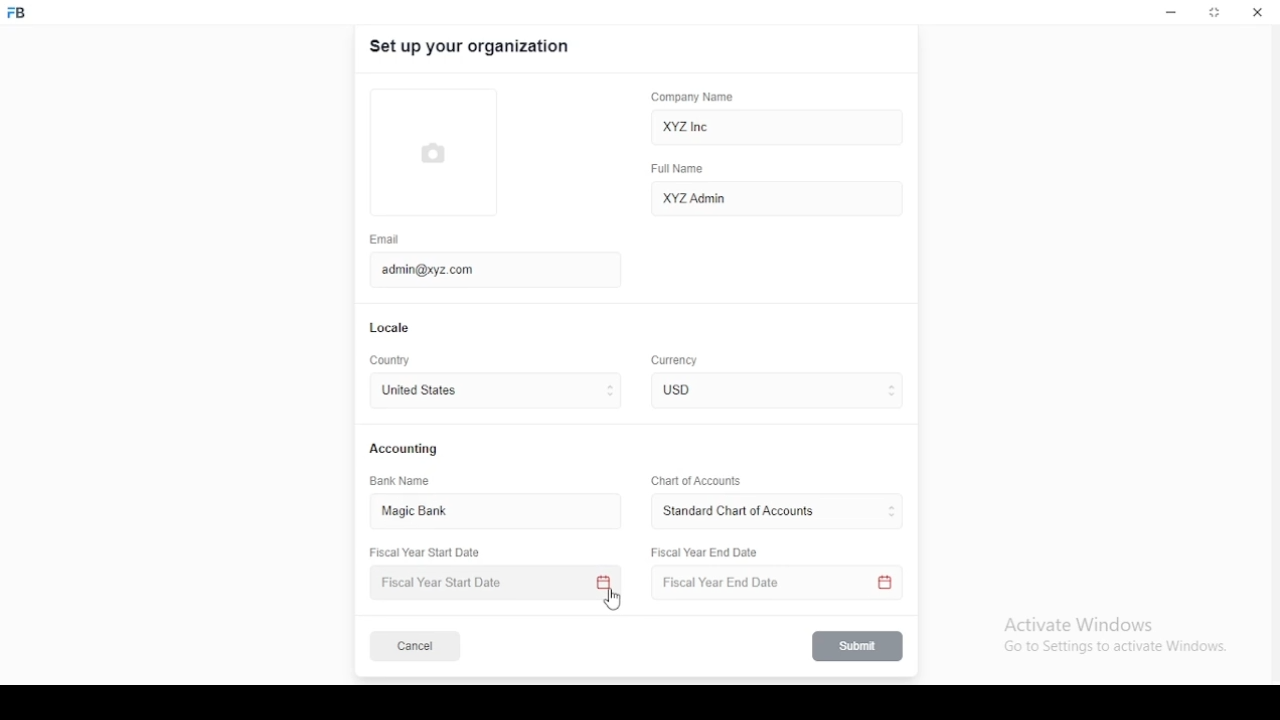  I want to click on Fiscal Year End Date, so click(771, 583).